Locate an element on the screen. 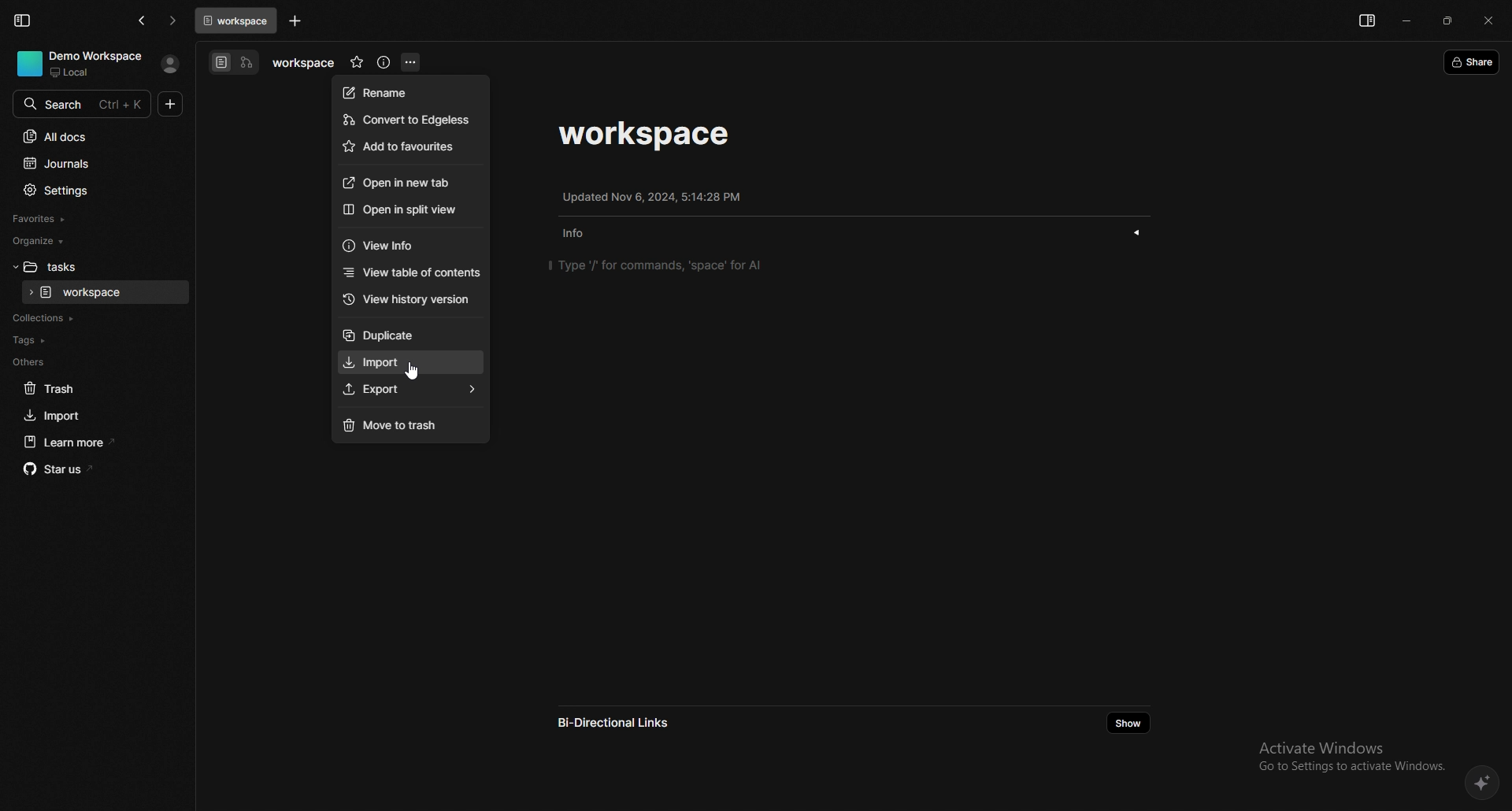  info is located at coordinates (384, 63).